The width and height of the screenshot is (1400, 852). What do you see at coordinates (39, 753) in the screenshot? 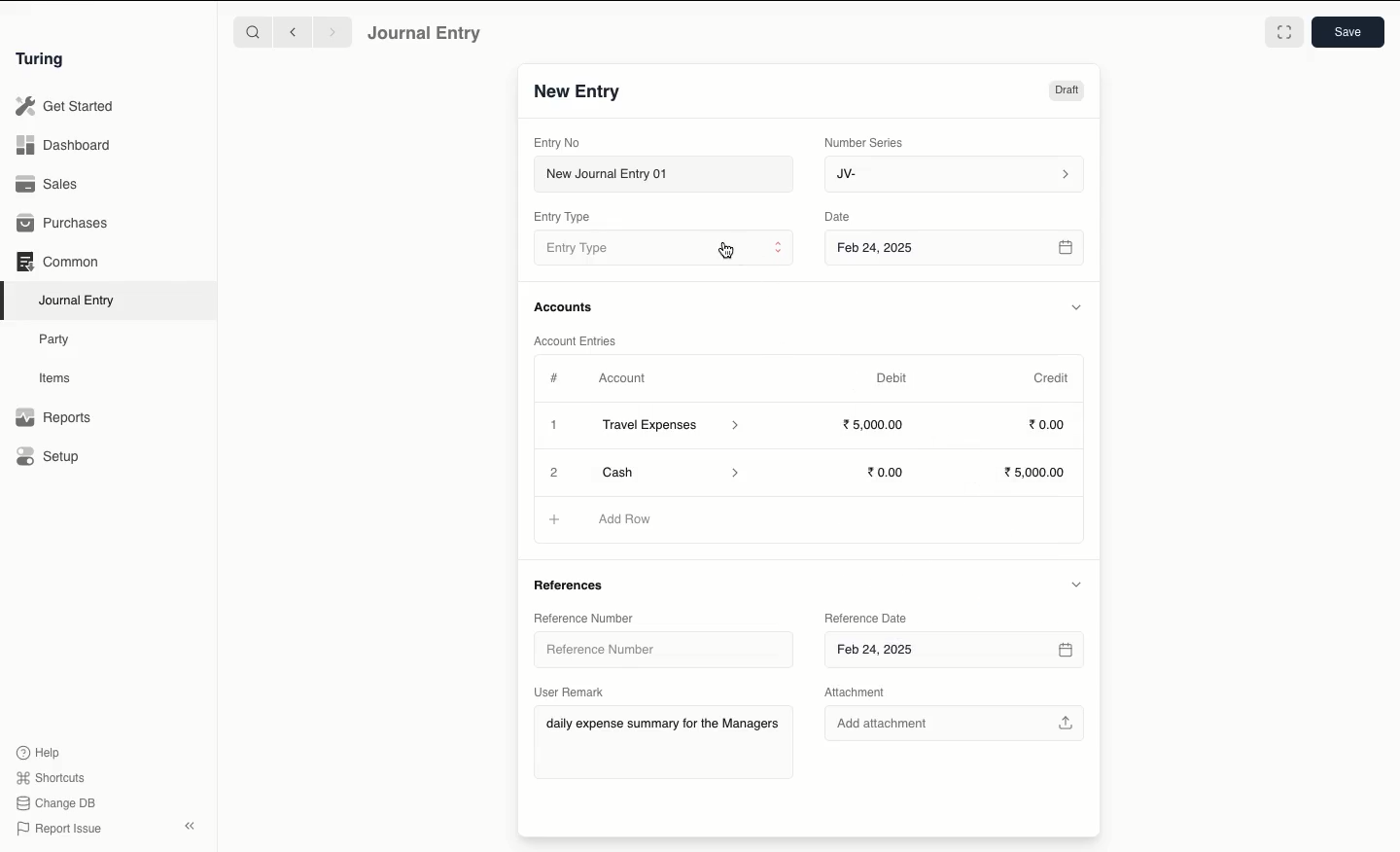
I see `Help` at bounding box center [39, 753].